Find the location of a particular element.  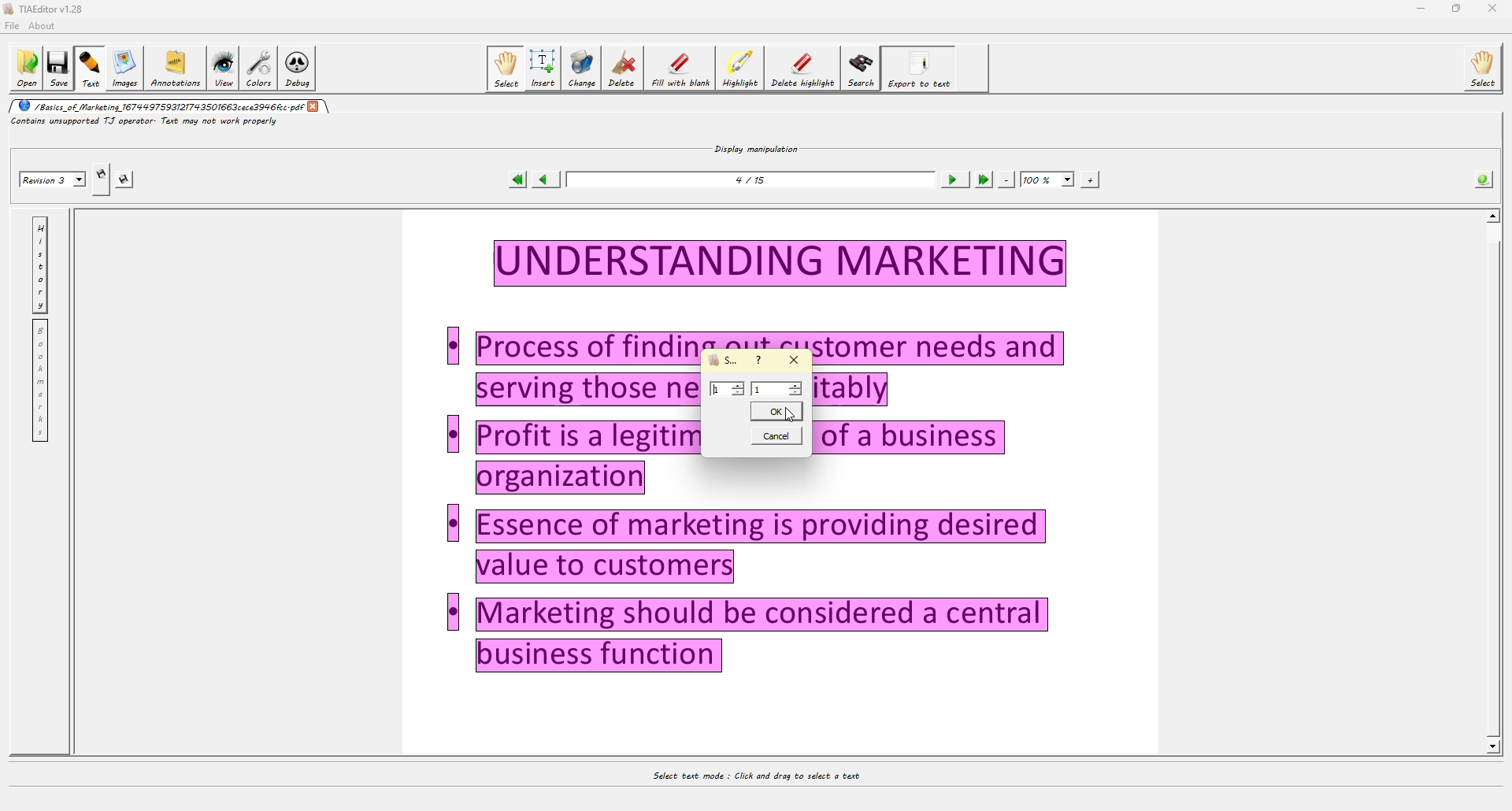

change is located at coordinates (580, 68).